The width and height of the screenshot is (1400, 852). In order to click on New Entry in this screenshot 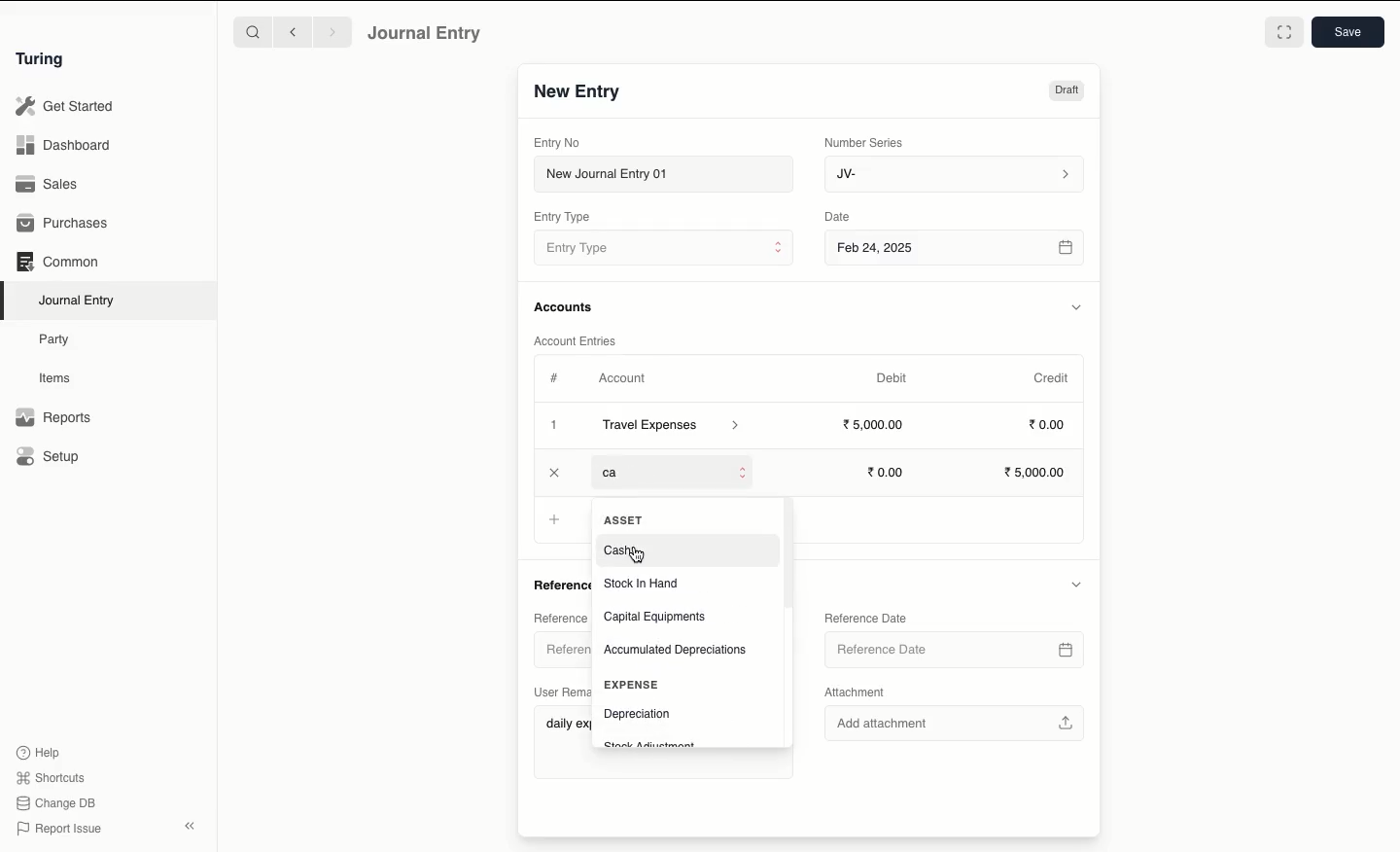, I will do `click(578, 92)`.